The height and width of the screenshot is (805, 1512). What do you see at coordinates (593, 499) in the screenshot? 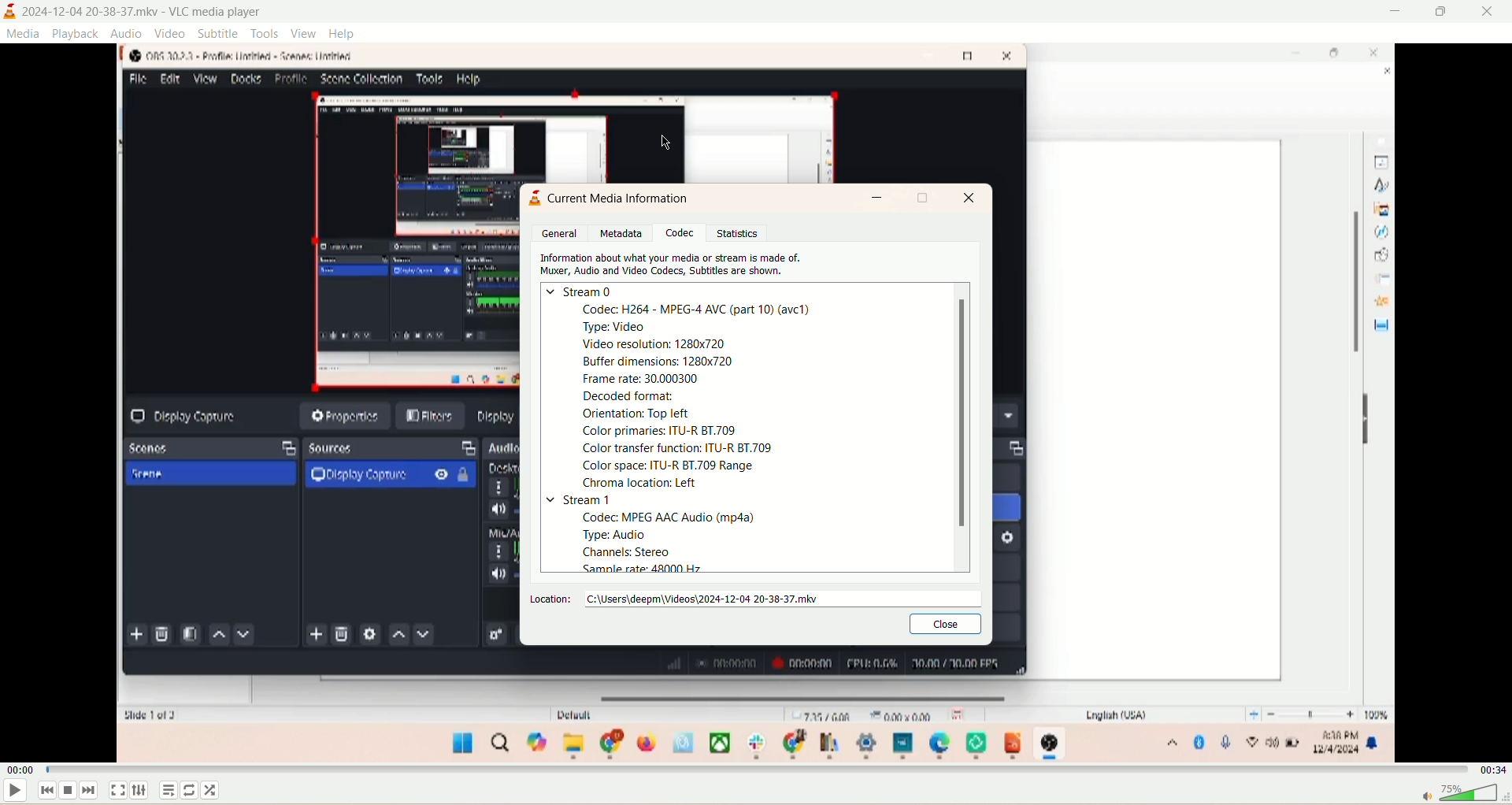
I see `stream 1` at bounding box center [593, 499].